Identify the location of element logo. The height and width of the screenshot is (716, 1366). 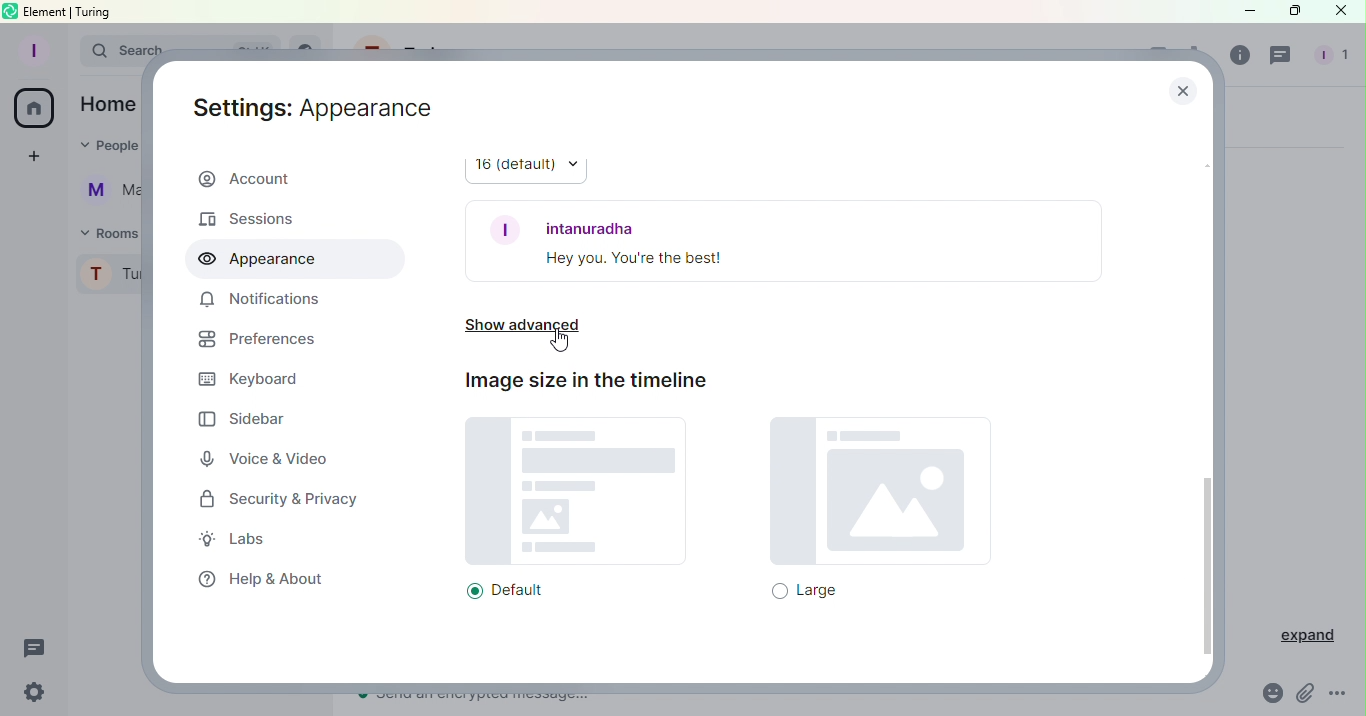
(11, 11).